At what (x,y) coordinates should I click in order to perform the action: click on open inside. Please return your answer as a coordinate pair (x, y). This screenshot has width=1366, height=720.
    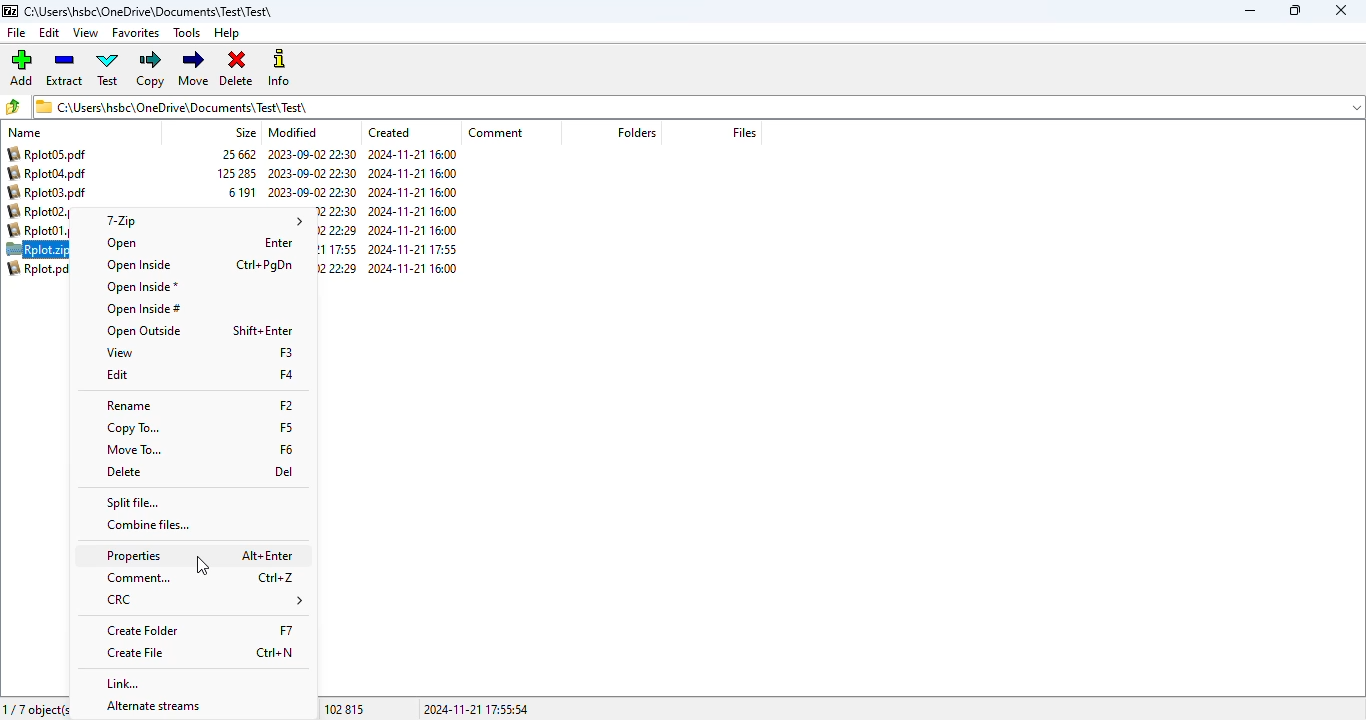
    Looking at the image, I should click on (137, 265).